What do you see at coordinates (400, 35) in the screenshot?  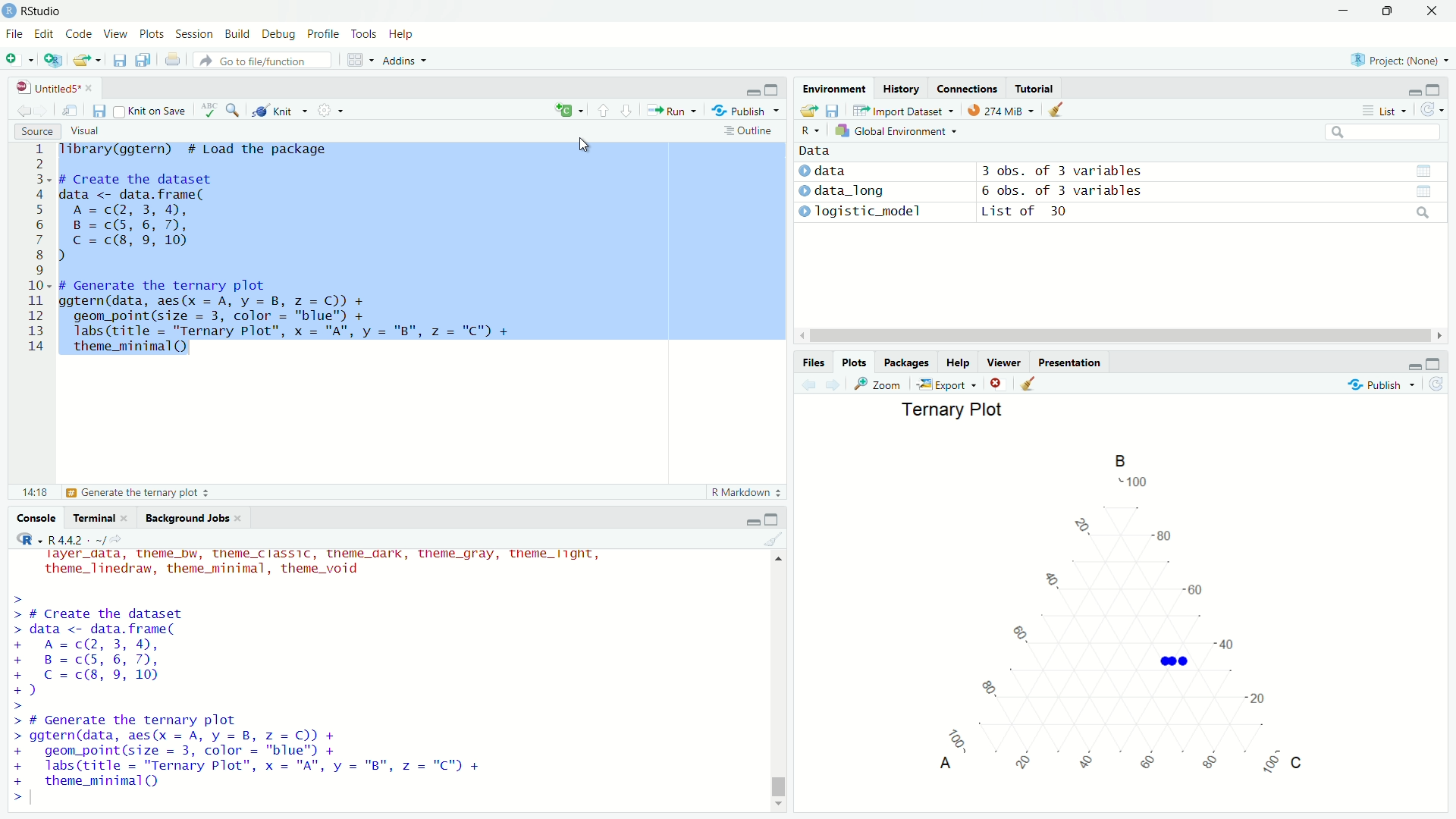 I see `Help` at bounding box center [400, 35].